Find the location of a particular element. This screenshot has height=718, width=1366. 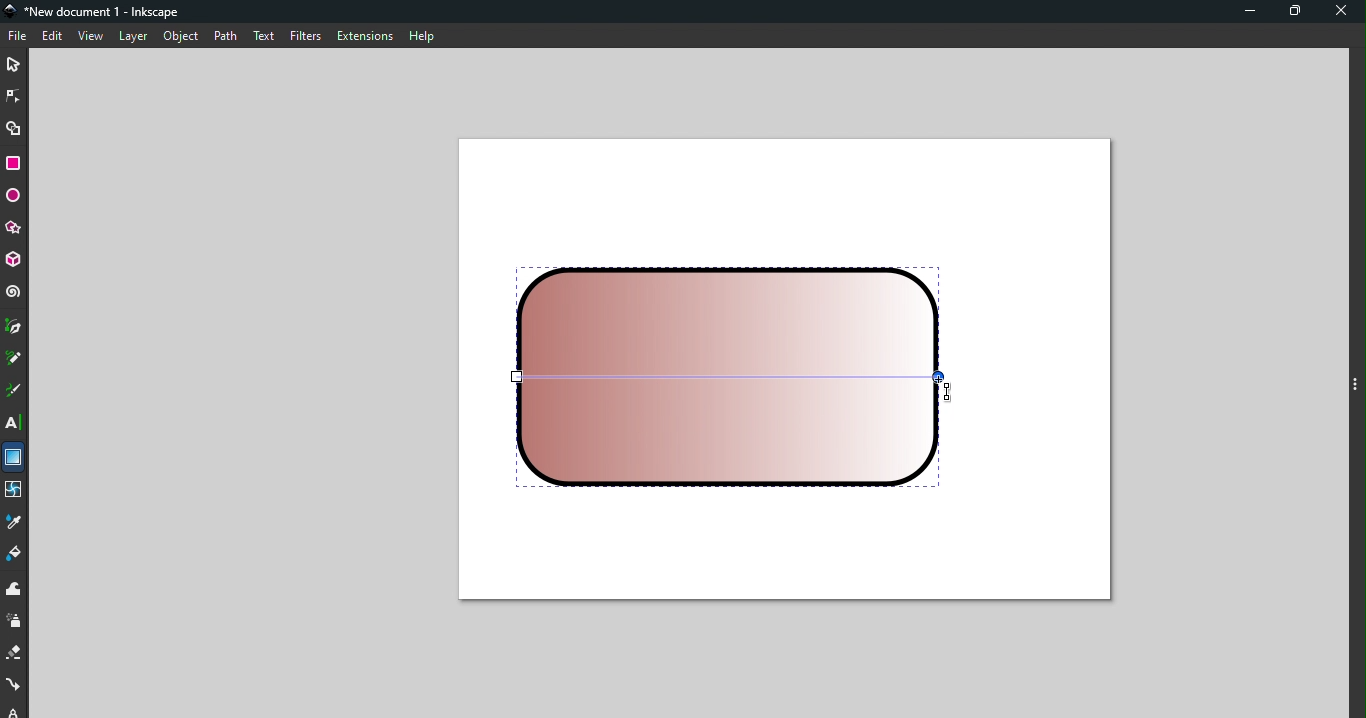

Selector tool is located at coordinates (14, 62).